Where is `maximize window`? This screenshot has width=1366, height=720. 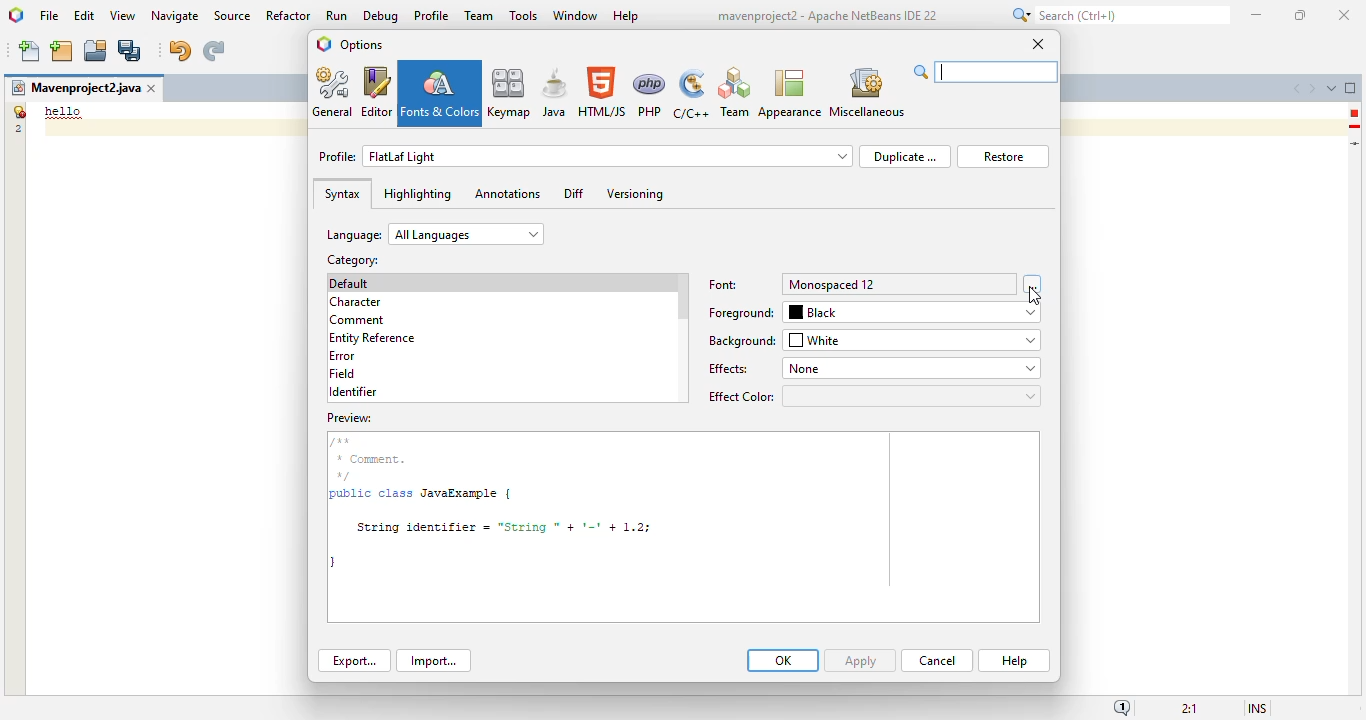
maximize window is located at coordinates (1351, 87).